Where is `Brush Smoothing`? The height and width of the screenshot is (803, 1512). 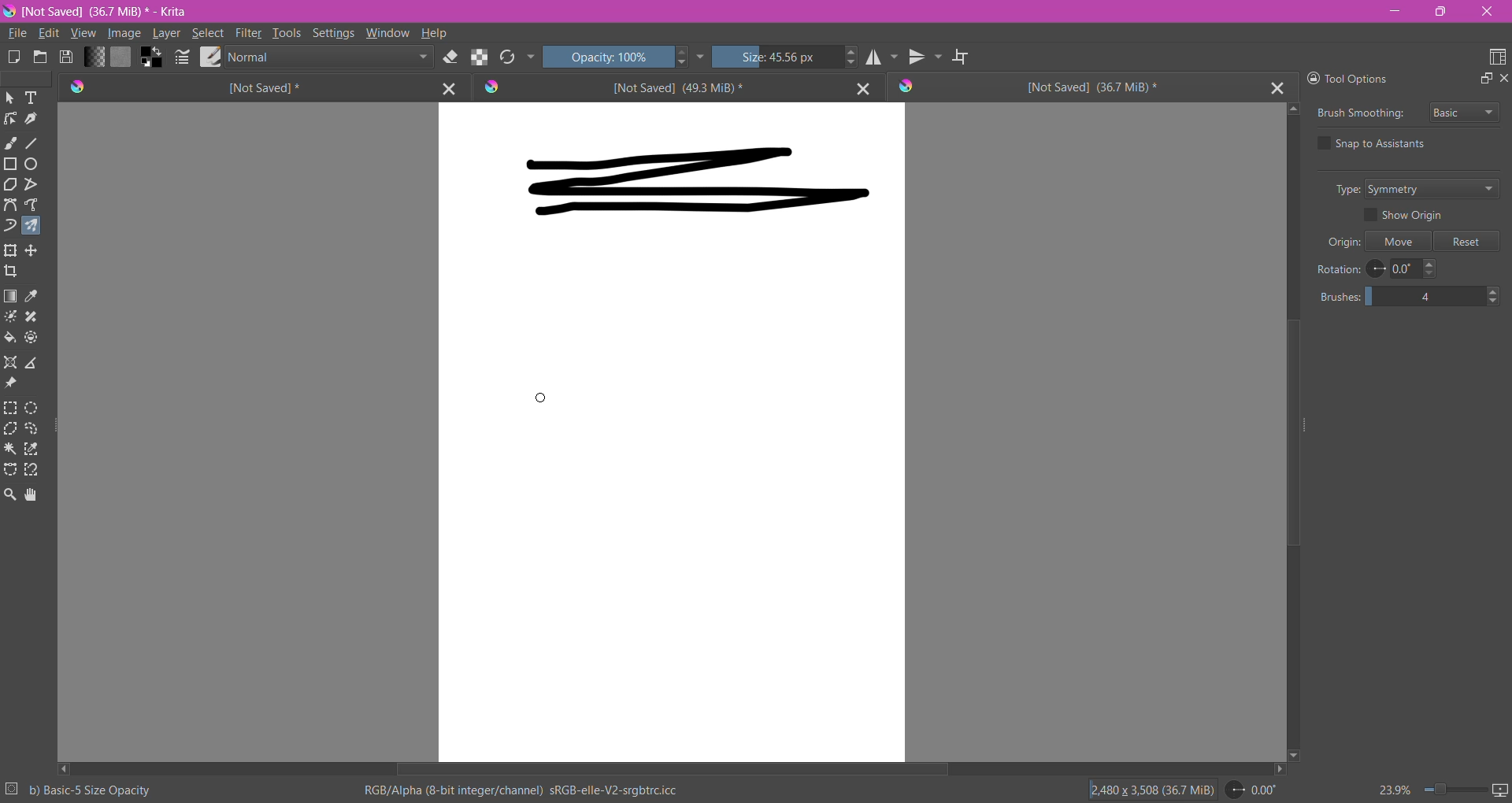 Brush Smoothing is located at coordinates (1358, 115).